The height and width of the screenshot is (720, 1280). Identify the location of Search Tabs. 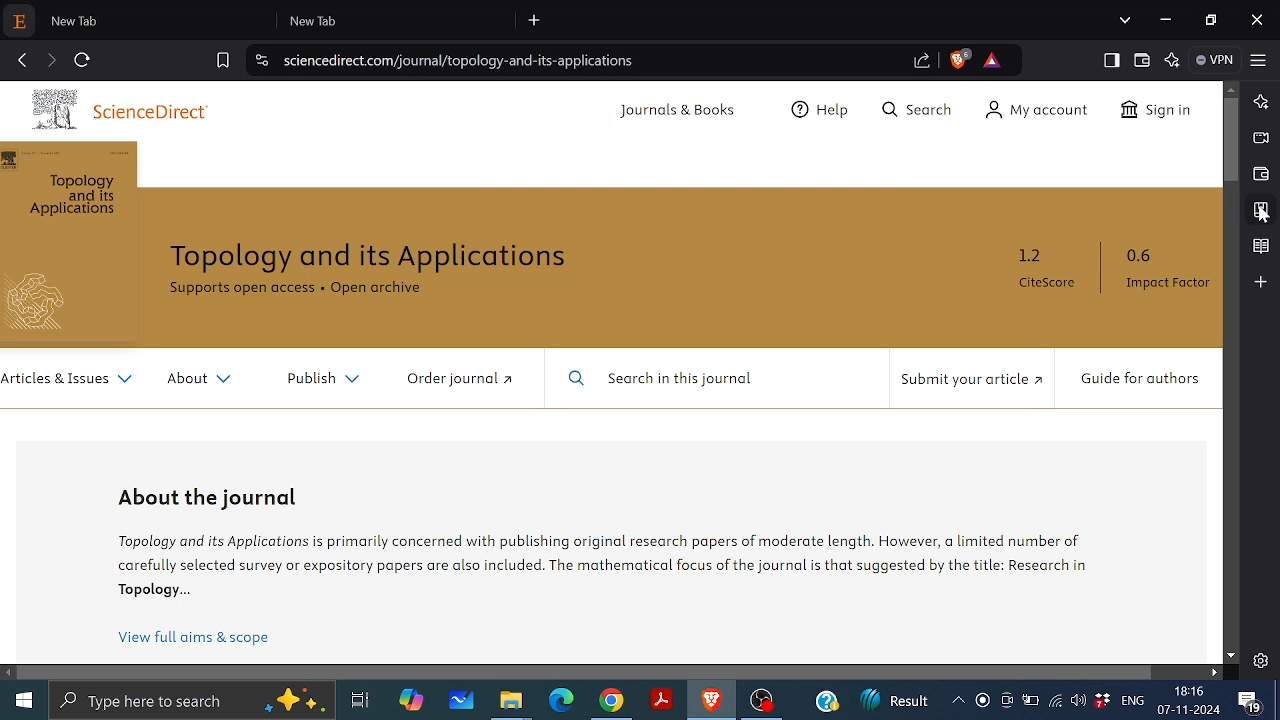
(1125, 19).